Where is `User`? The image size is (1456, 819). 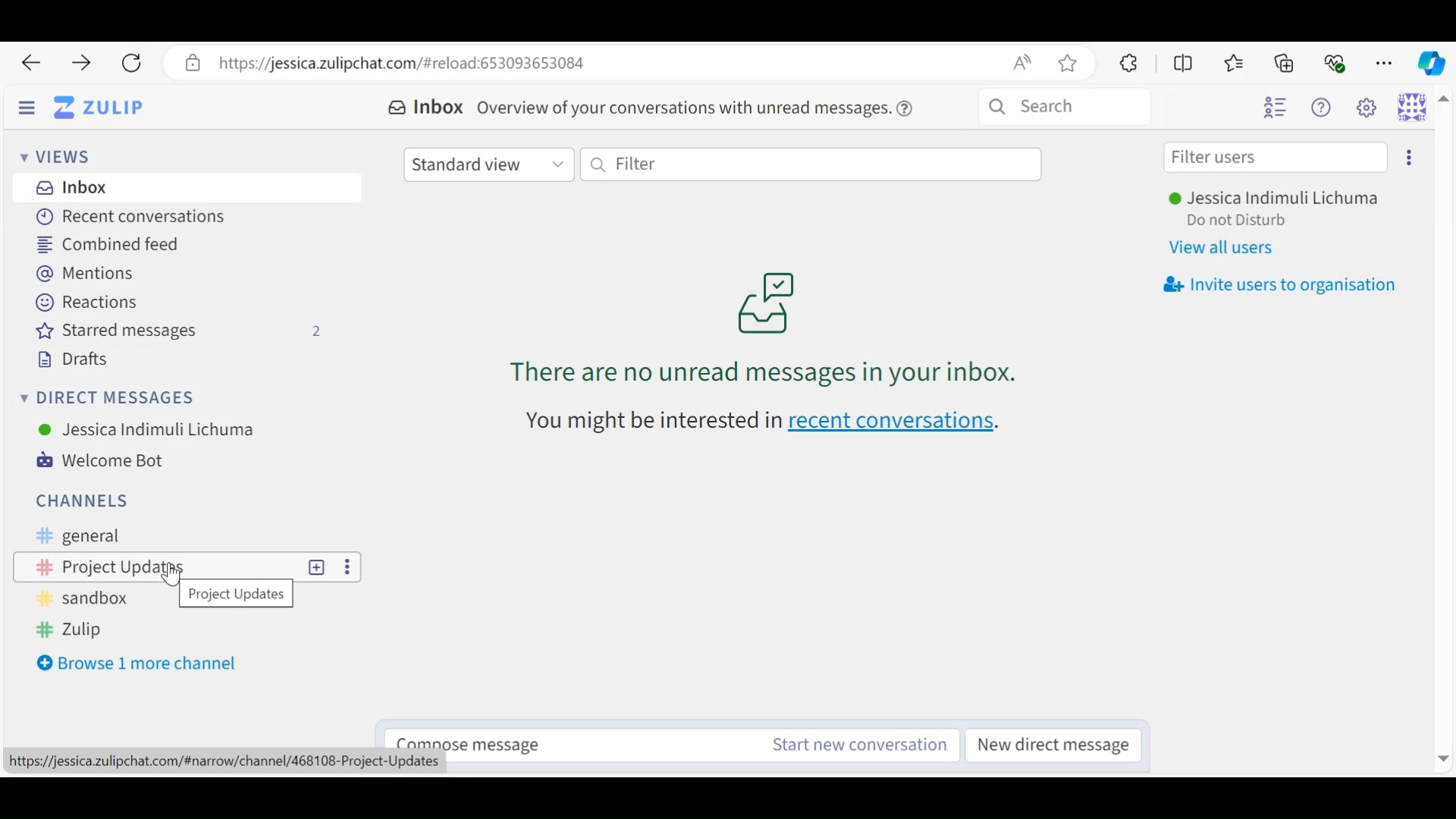 User is located at coordinates (1279, 199).